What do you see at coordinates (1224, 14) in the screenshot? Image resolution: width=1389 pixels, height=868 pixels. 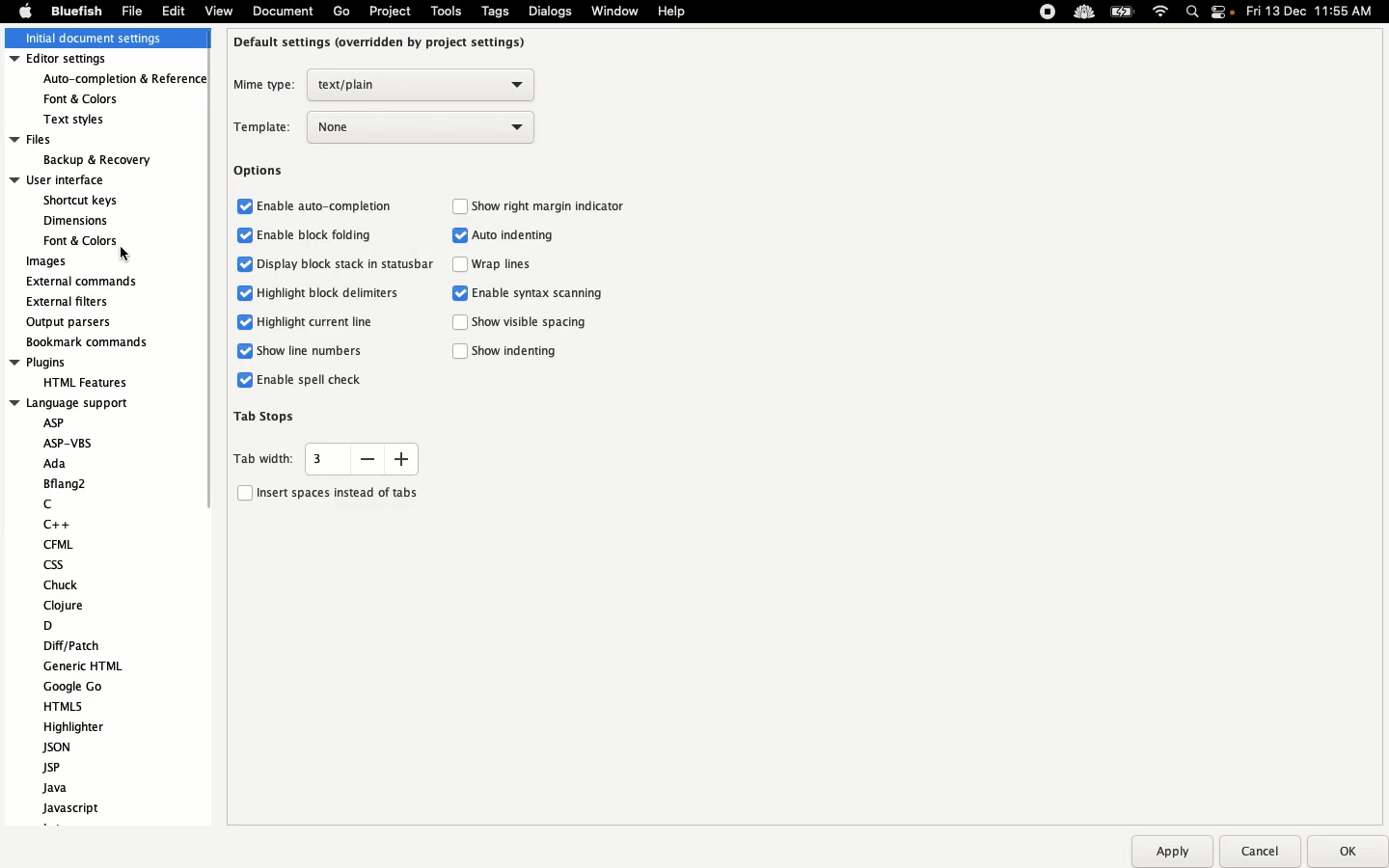 I see `Notification` at bounding box center [1224, 14].